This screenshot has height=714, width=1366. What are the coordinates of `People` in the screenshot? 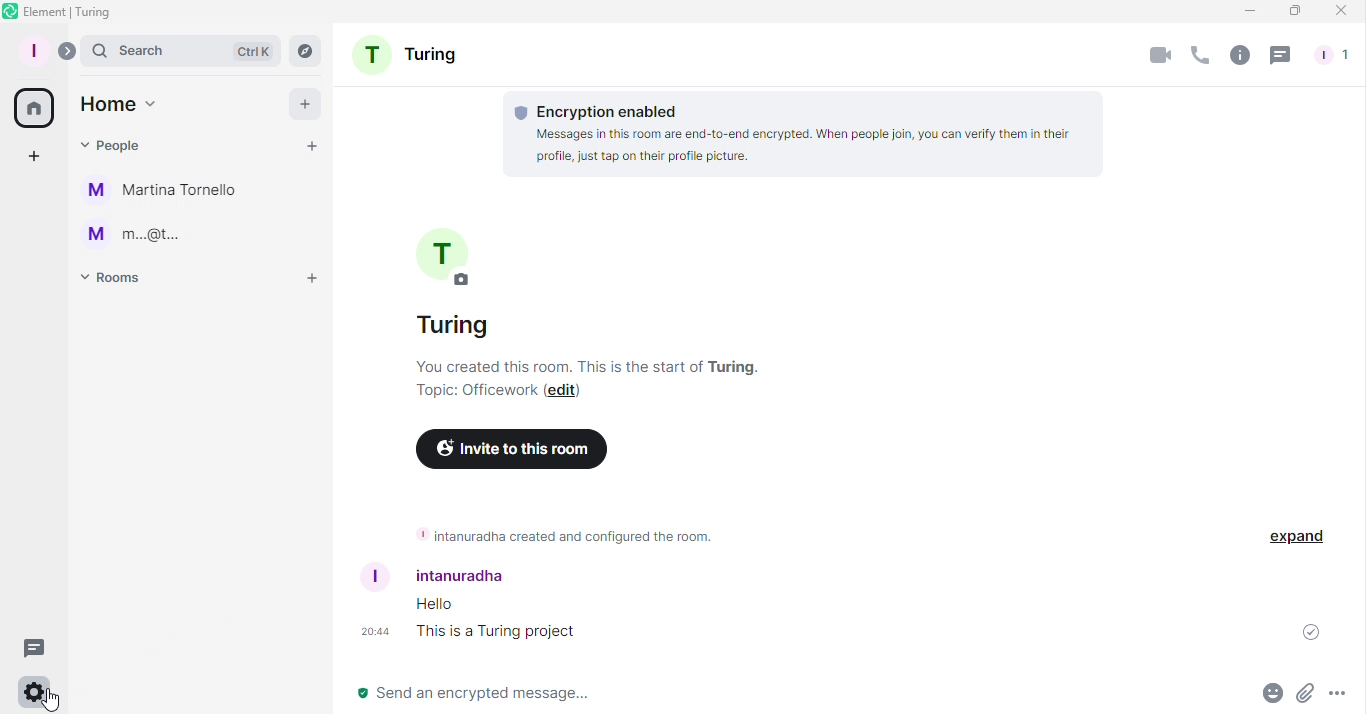 It's located at (108, 144).